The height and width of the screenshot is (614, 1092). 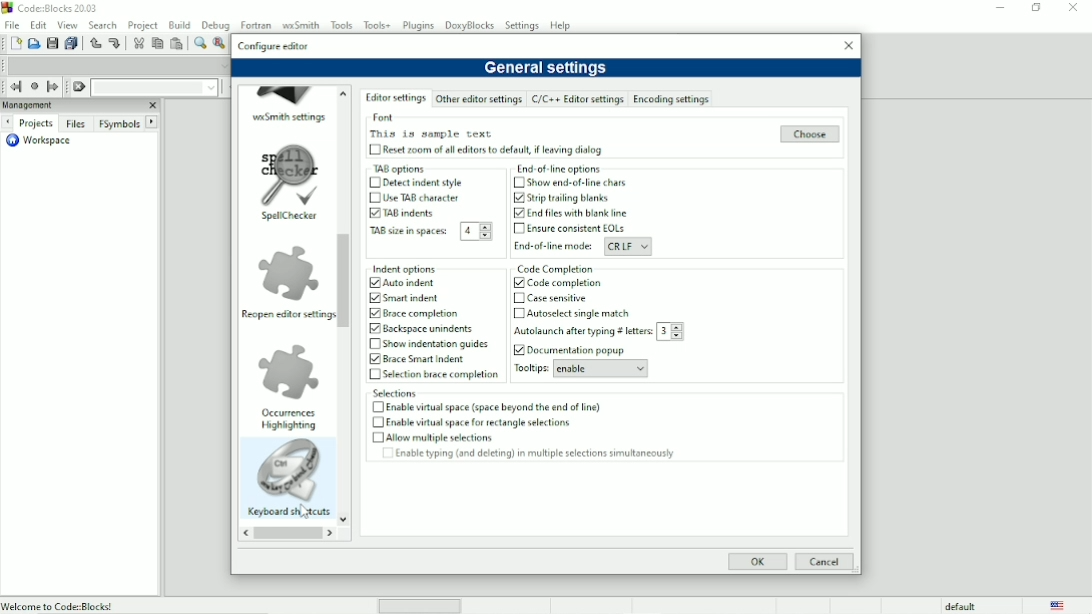 What do you see at coordinates (412, 168) in the screenshot?
I see `TAB options` at bounding box center [412, 168].